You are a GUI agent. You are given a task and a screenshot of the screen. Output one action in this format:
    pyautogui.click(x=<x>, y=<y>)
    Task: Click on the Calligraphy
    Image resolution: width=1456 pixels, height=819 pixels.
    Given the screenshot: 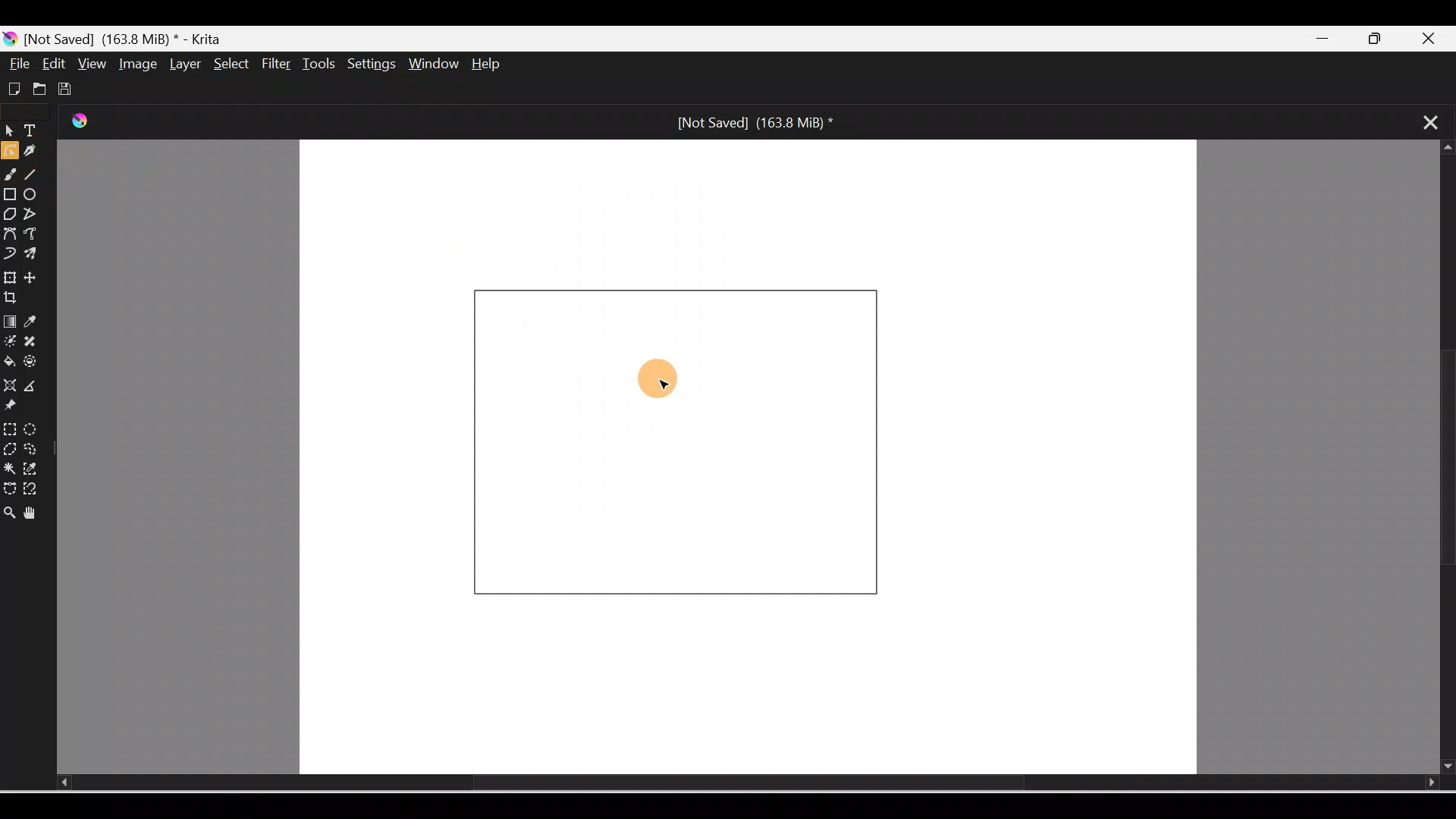 What is the action you would take?
    pyautogui.click(x=36, y=152)
    